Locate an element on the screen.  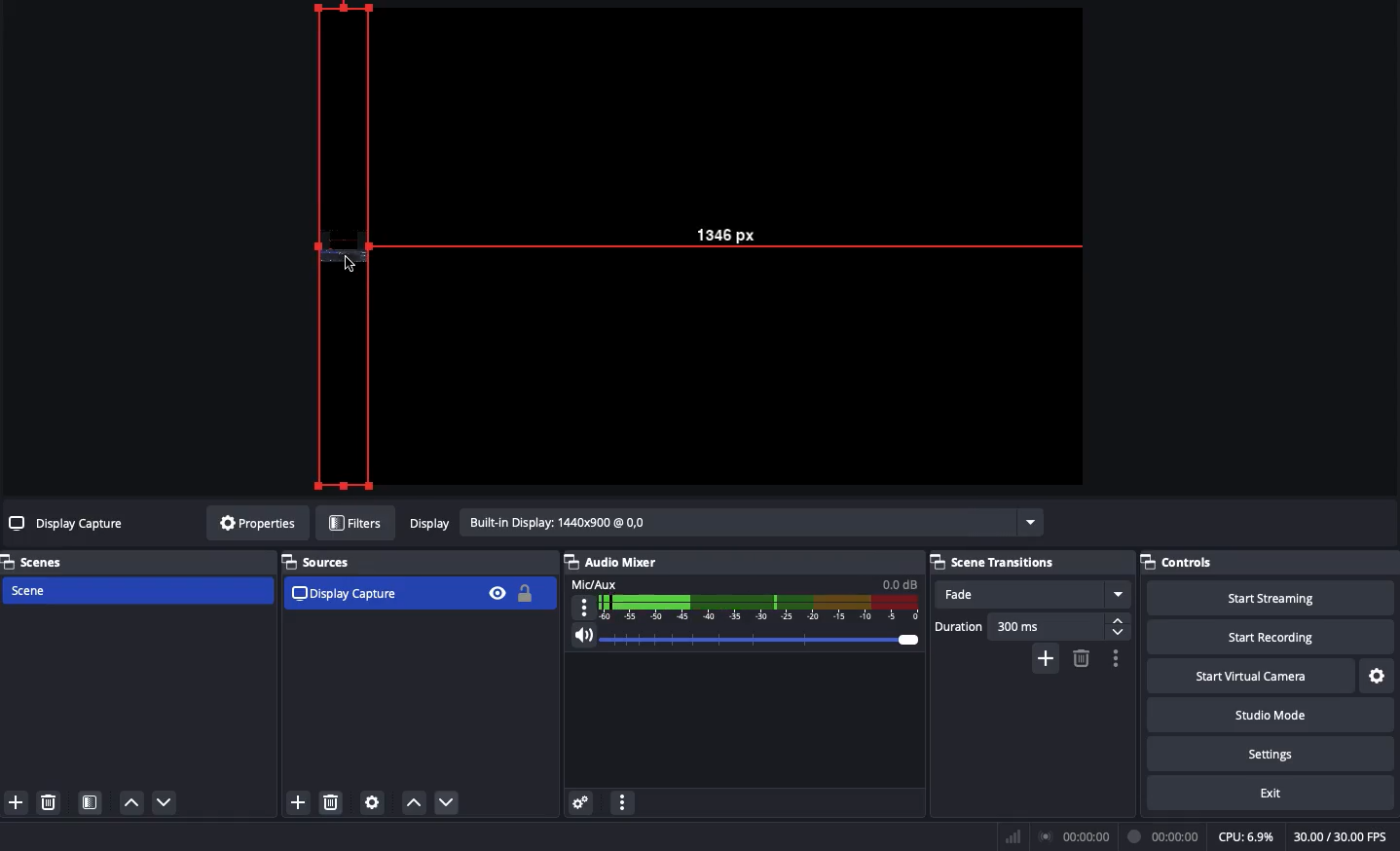
1315 px is located at coordinates (747, 230).